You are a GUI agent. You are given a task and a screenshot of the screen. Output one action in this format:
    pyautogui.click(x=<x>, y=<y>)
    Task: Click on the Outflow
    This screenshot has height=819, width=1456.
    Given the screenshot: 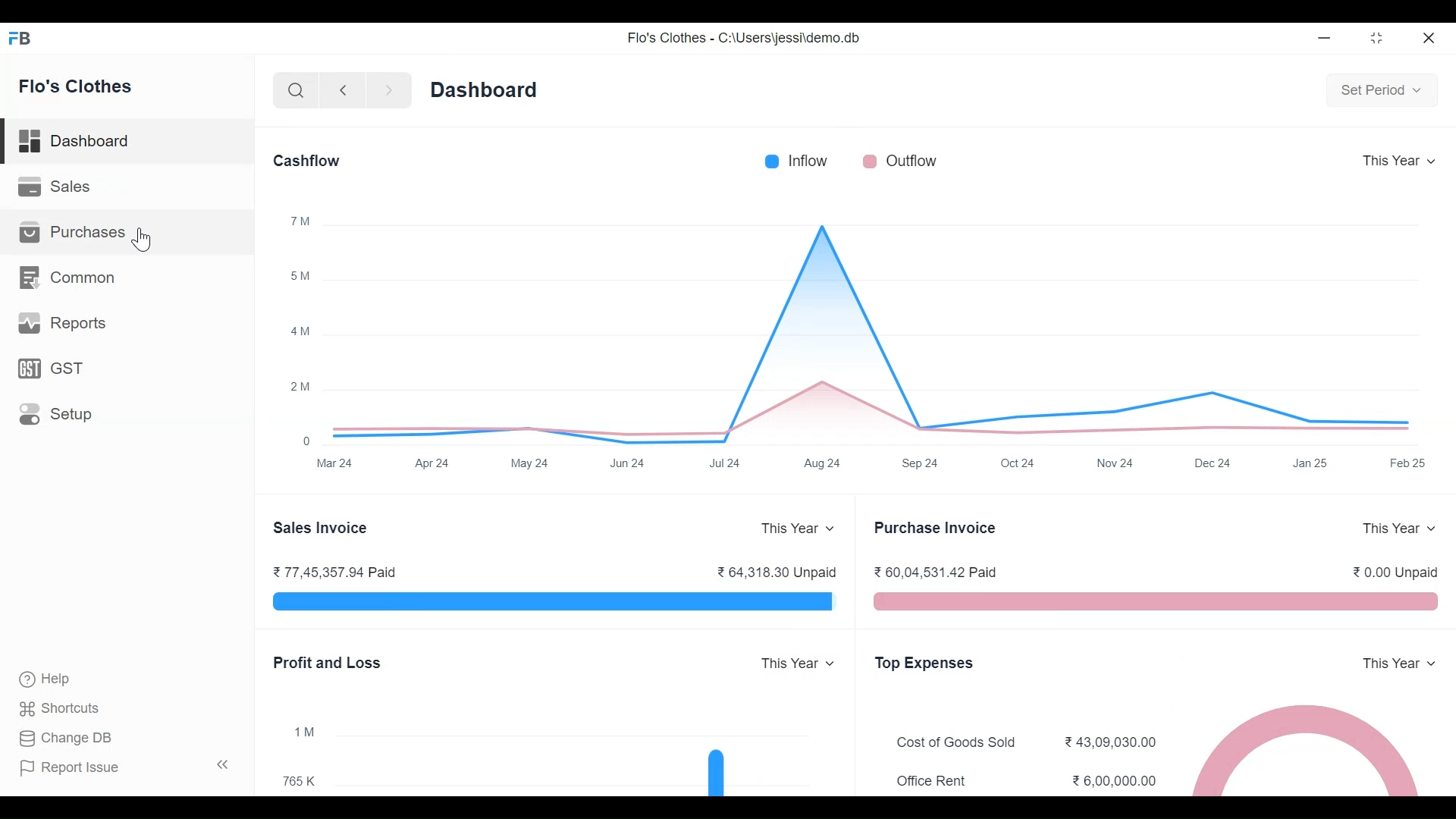 What is the action you would take?
    pyautogui.click(x=912, y=160)
    